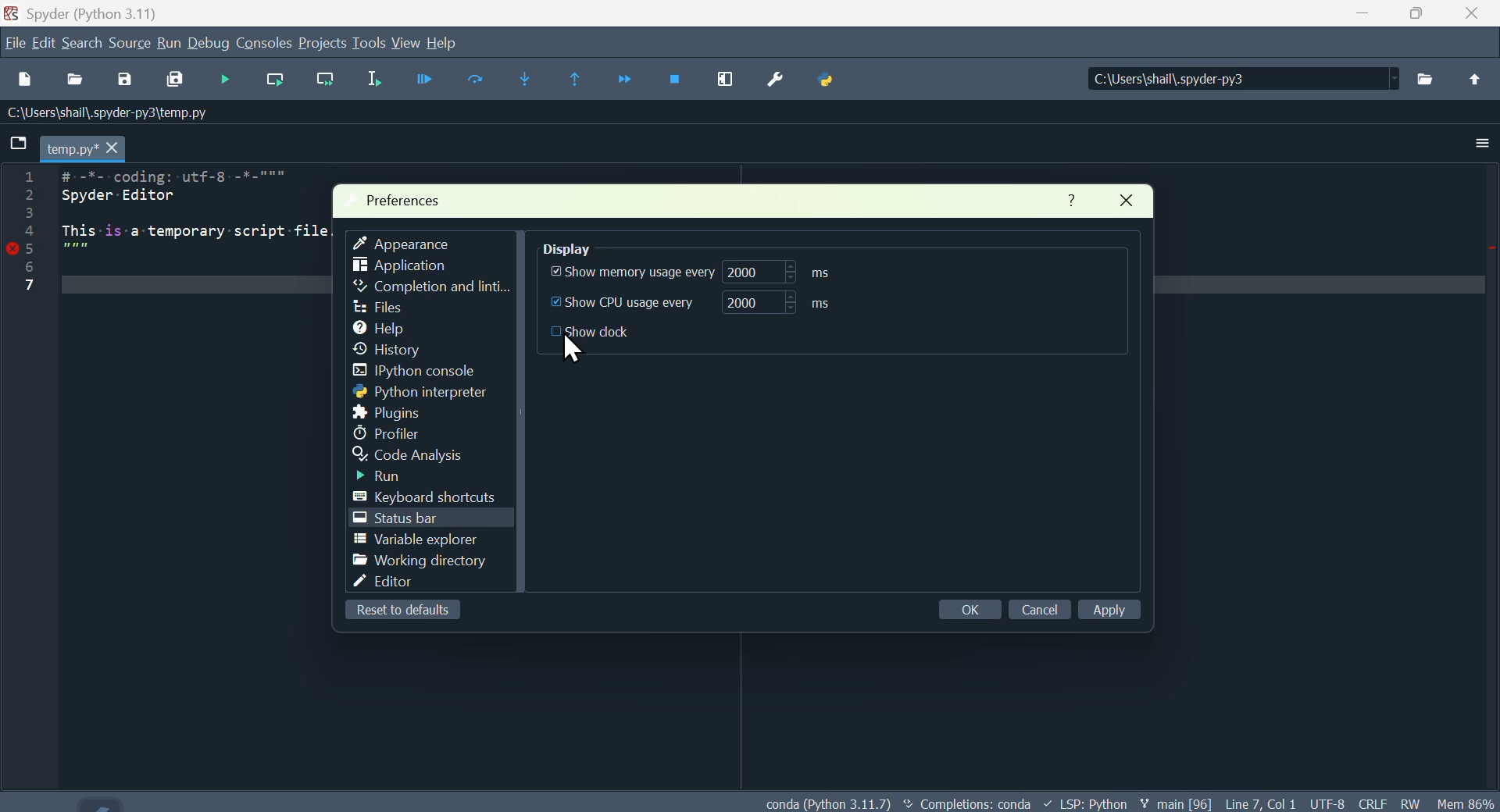 This screenshot has width=1500, height=812. I want to click on Search, so click(83, 41).